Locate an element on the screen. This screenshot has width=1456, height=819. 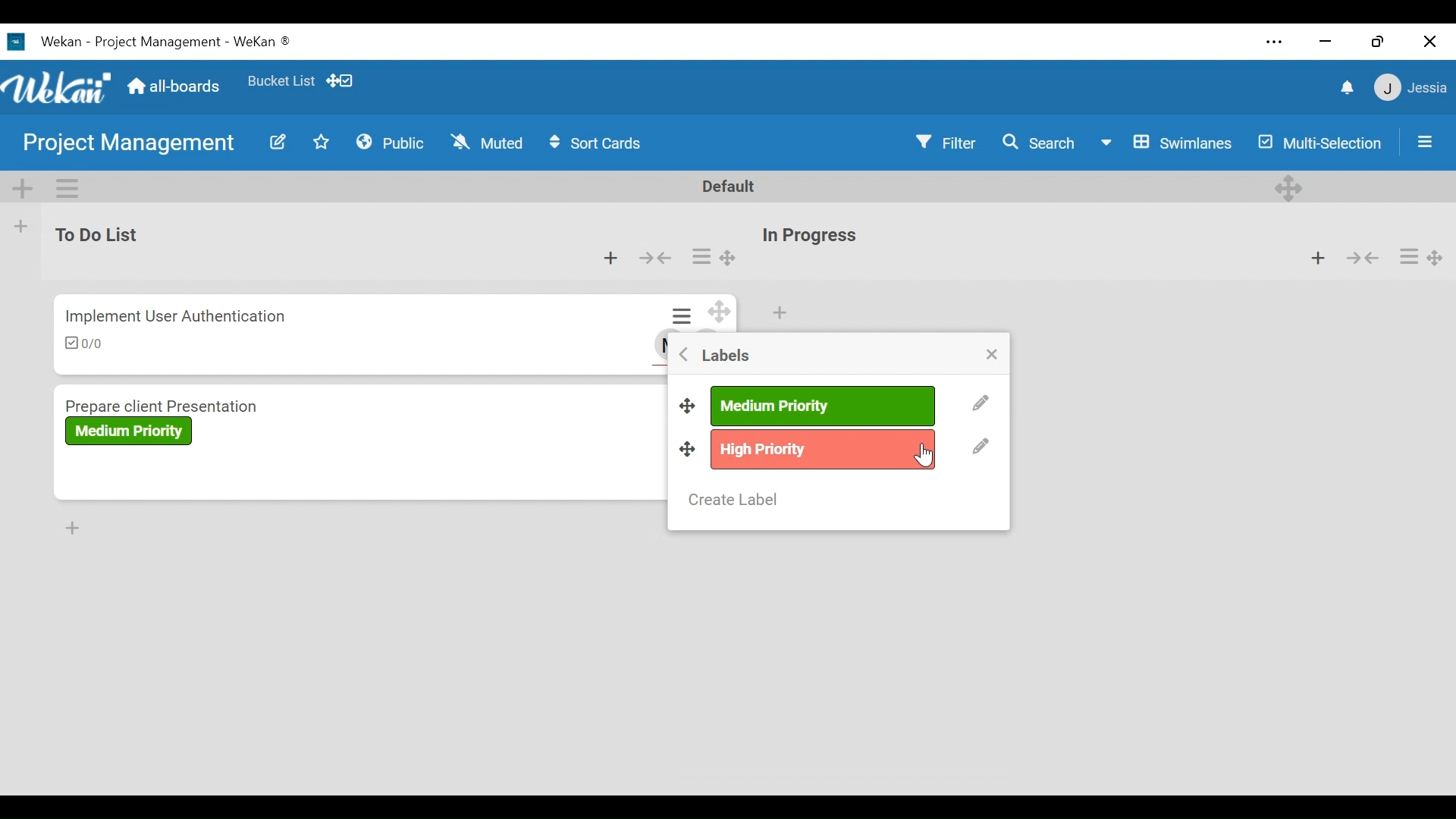
Board View is located at coordinates (1166, 143).